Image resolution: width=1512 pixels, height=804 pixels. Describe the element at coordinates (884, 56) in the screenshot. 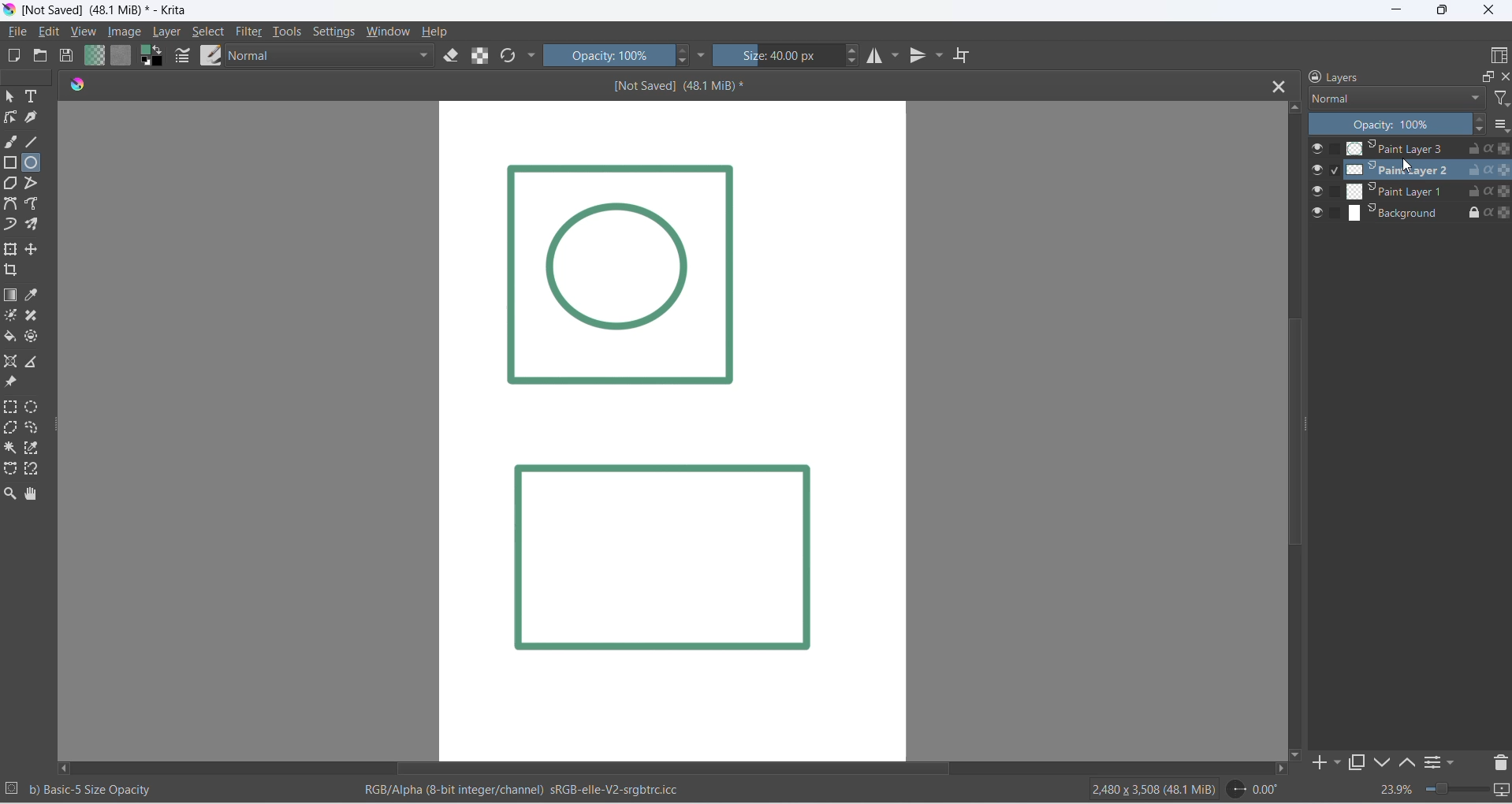

I see `horizontal mirror tool` at that location.